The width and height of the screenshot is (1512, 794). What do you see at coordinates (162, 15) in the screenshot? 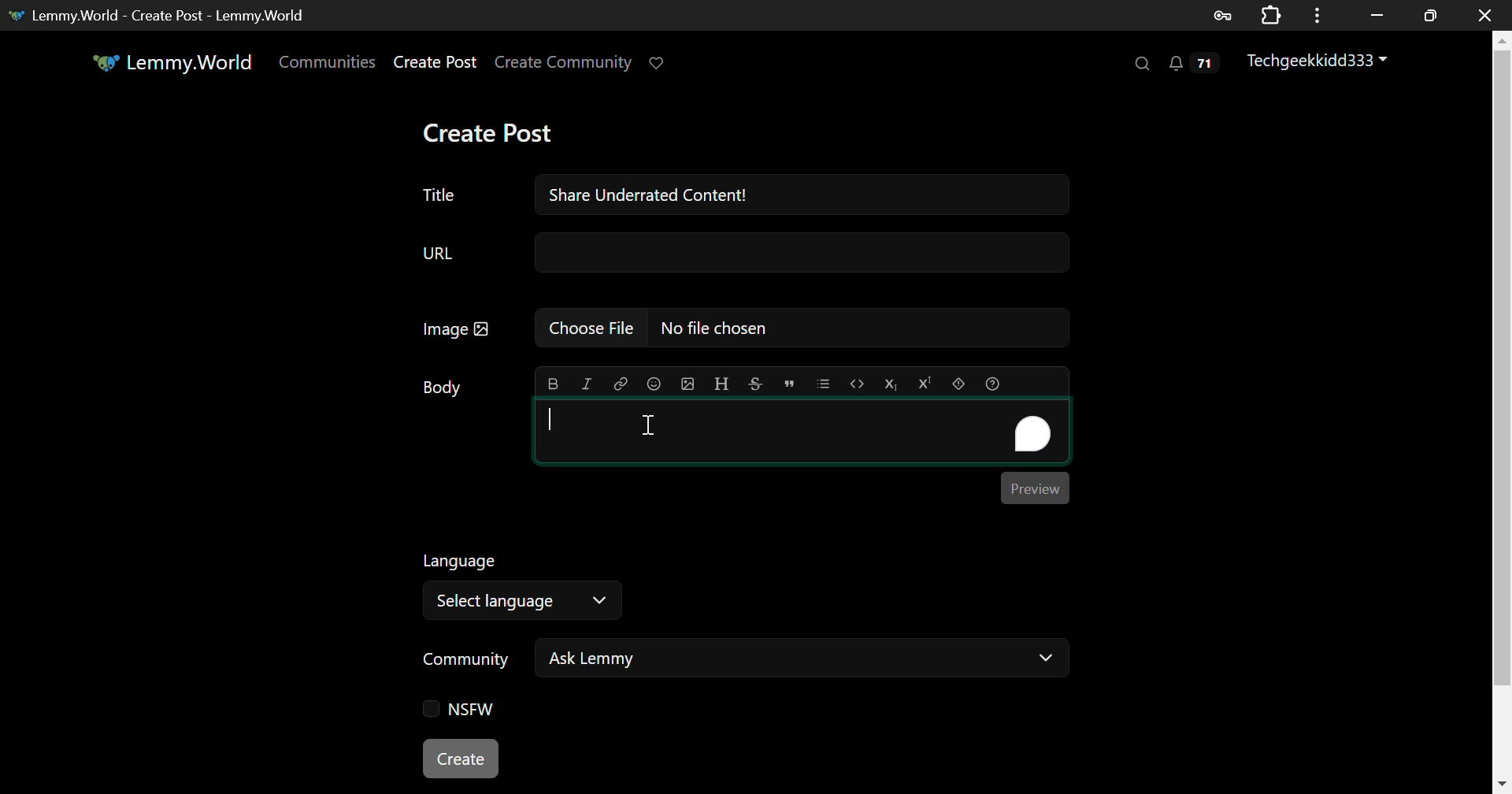
I see `Lemmy.World - Create Post - Lemmy.World` at bounding box center [162, 15].